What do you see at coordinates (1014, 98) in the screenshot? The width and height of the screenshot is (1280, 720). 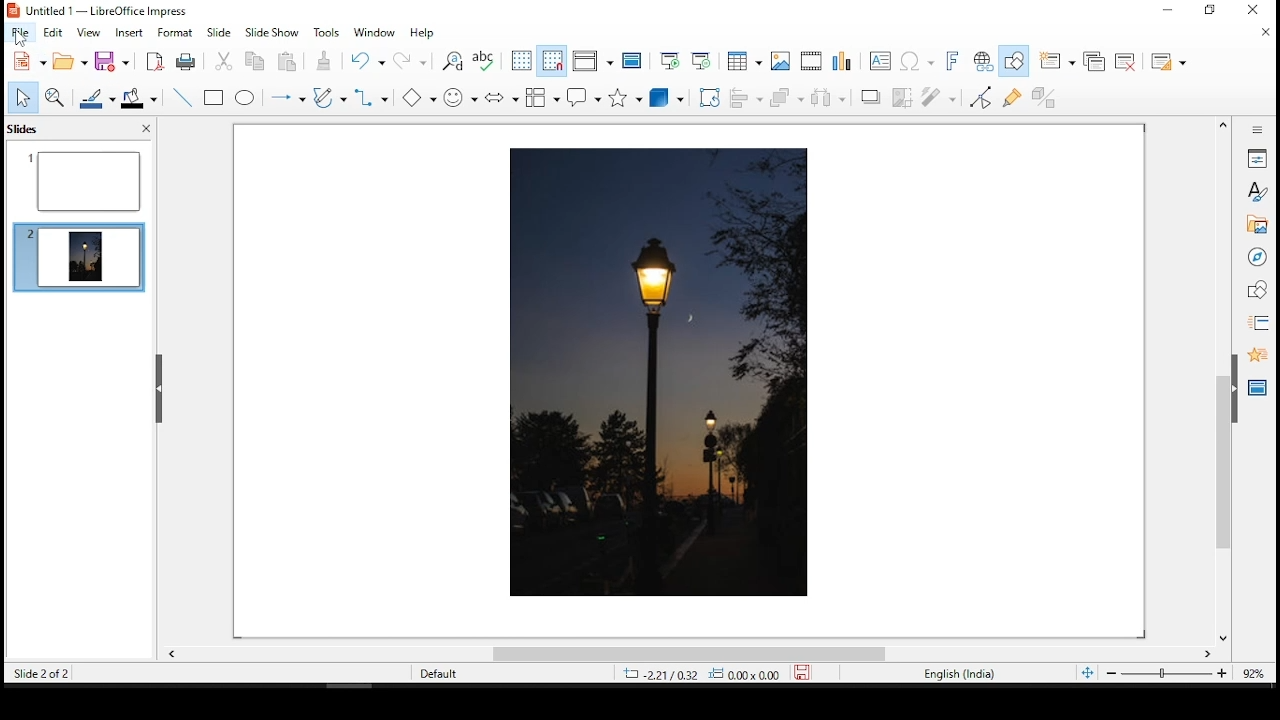 I see `show gluepoint functions` at bounding box center [1014, 98].